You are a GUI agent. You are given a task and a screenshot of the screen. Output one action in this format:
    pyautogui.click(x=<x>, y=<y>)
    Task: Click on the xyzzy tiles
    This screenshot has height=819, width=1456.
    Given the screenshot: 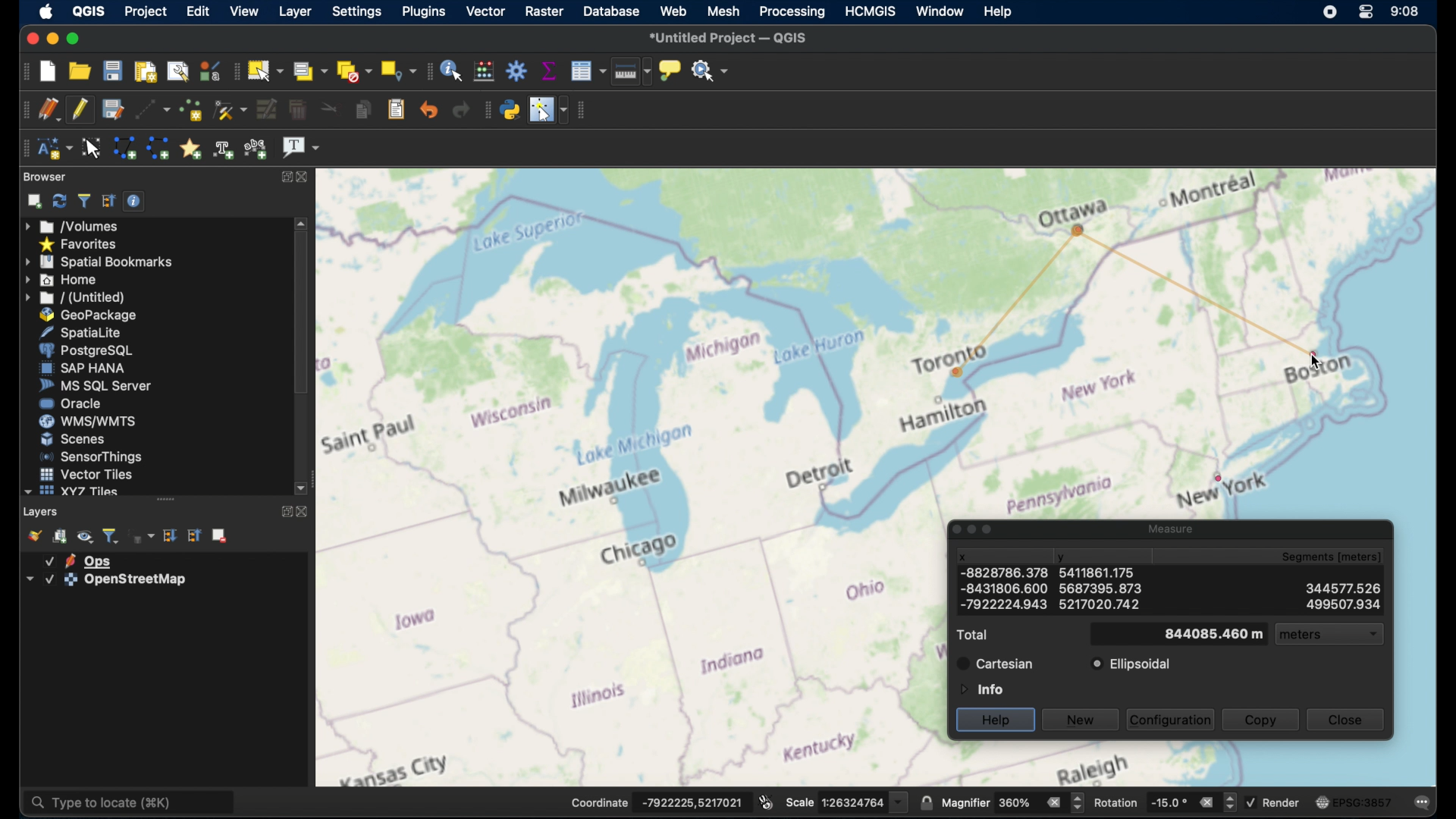 What is the action you would take?
    pyautogui.click(x=71, y=491)
    